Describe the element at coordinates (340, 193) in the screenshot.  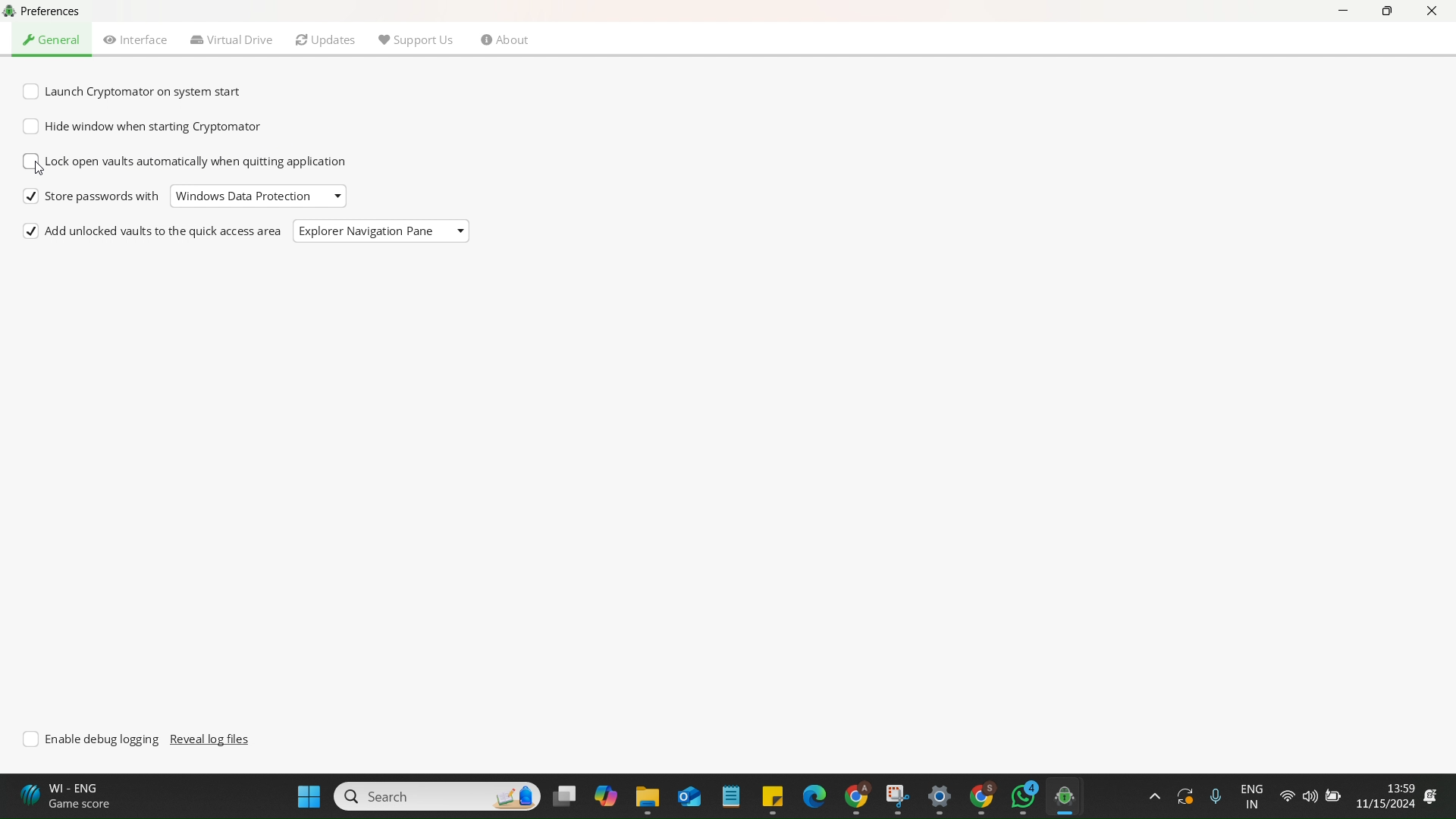
I see `Drop Down` at that location.